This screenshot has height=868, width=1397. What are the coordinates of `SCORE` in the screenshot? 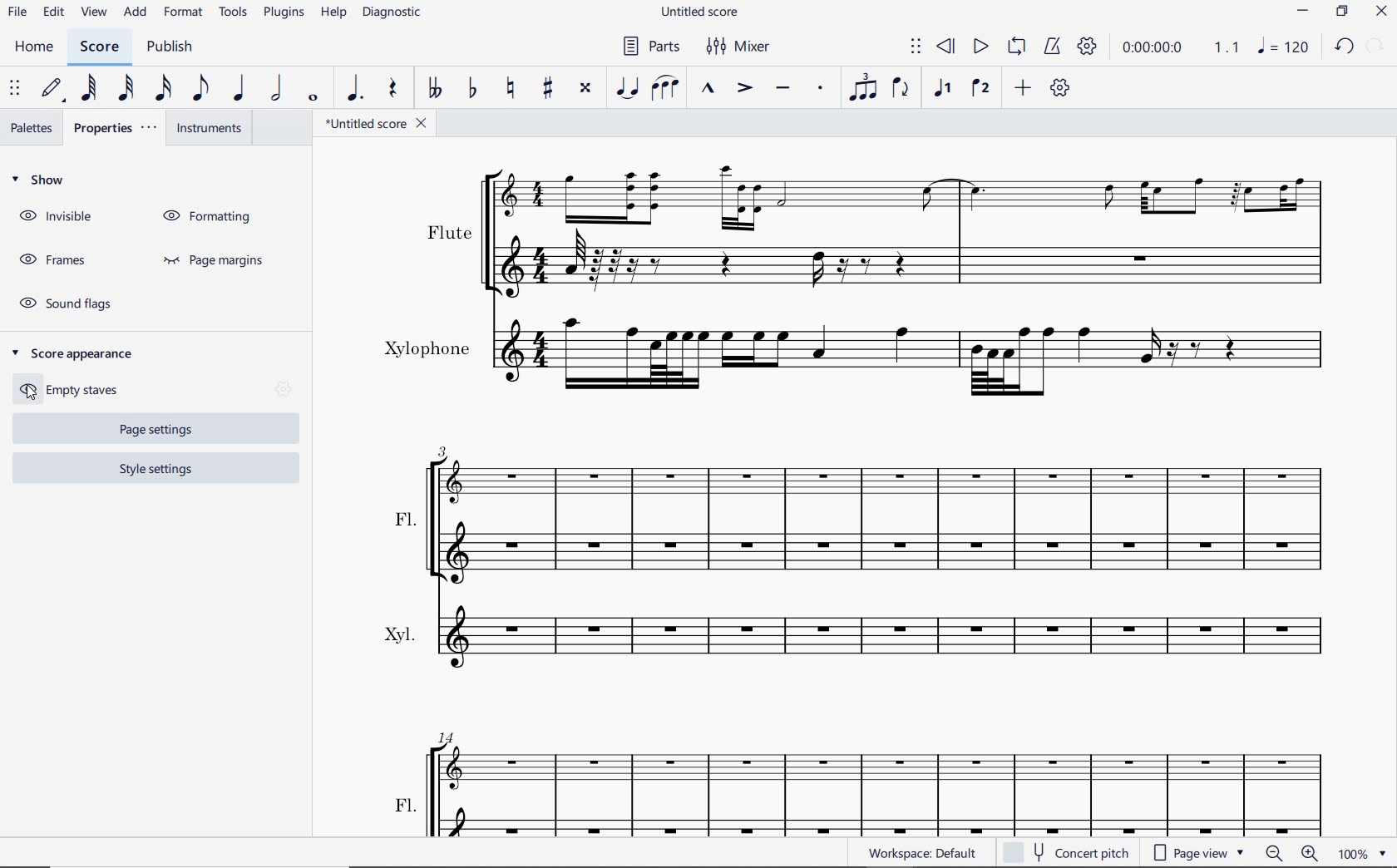 It's located at (99, 47).